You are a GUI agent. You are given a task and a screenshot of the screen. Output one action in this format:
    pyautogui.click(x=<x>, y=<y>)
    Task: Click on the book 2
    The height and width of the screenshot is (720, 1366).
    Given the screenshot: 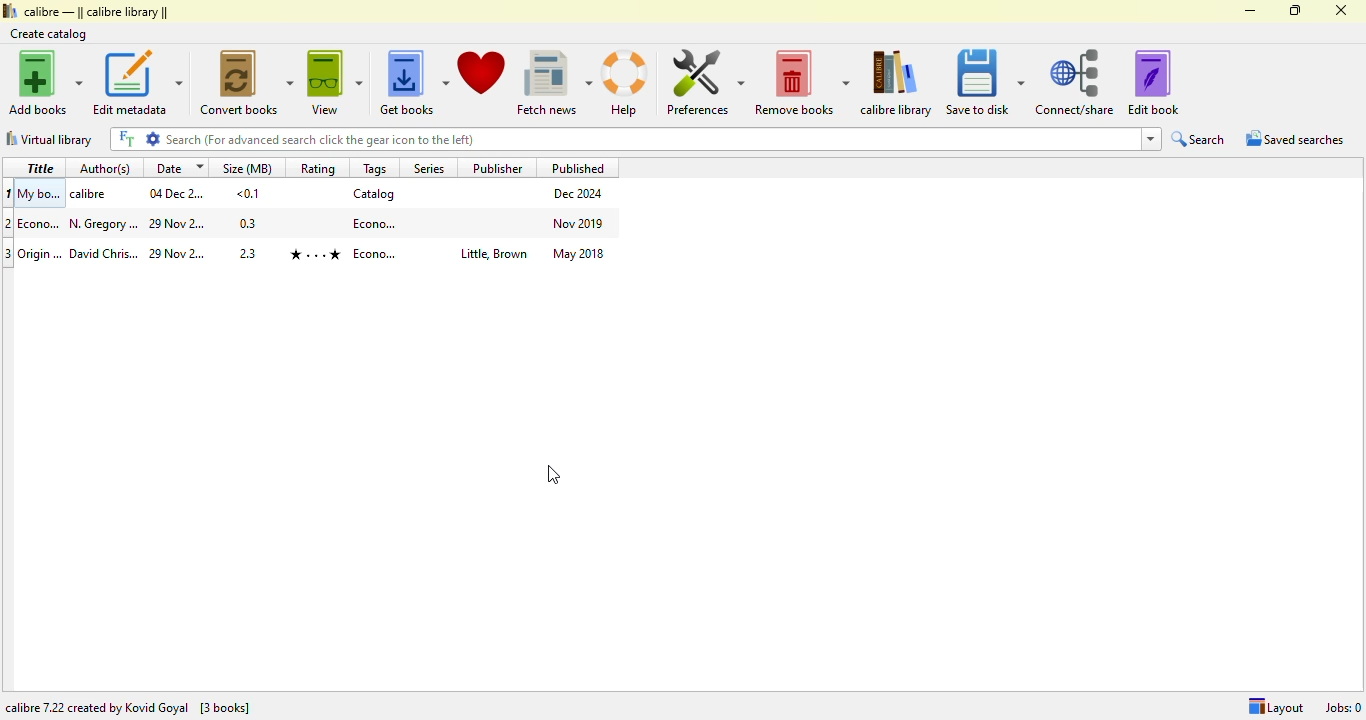 What is the action you would take?
    pyautogui.click(x=314, y=252)
    